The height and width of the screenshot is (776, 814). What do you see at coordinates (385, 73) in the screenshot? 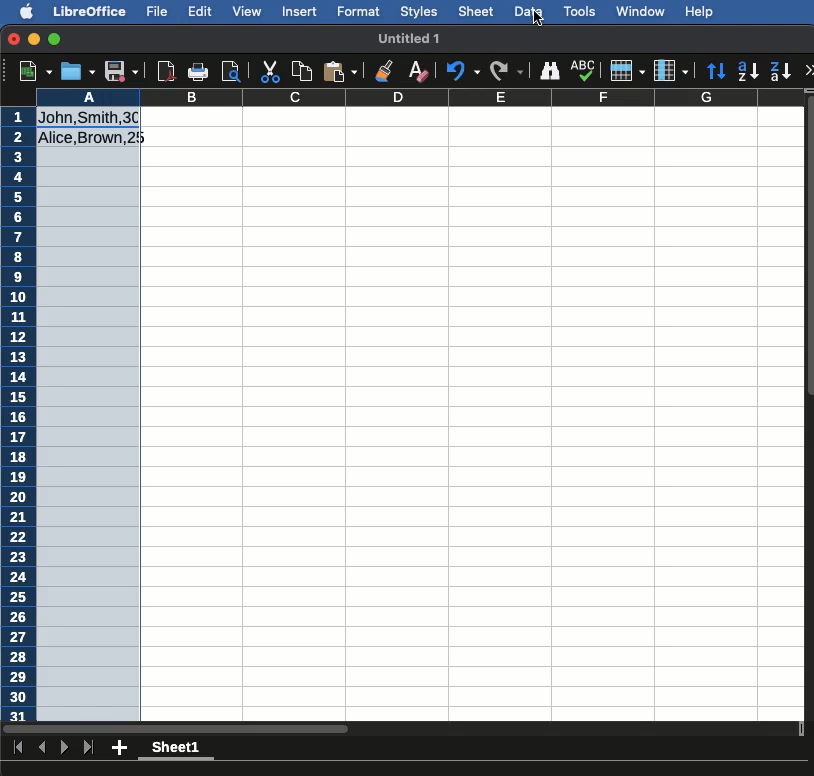
I see `Clone formatting` at bounding box center [385, 73].